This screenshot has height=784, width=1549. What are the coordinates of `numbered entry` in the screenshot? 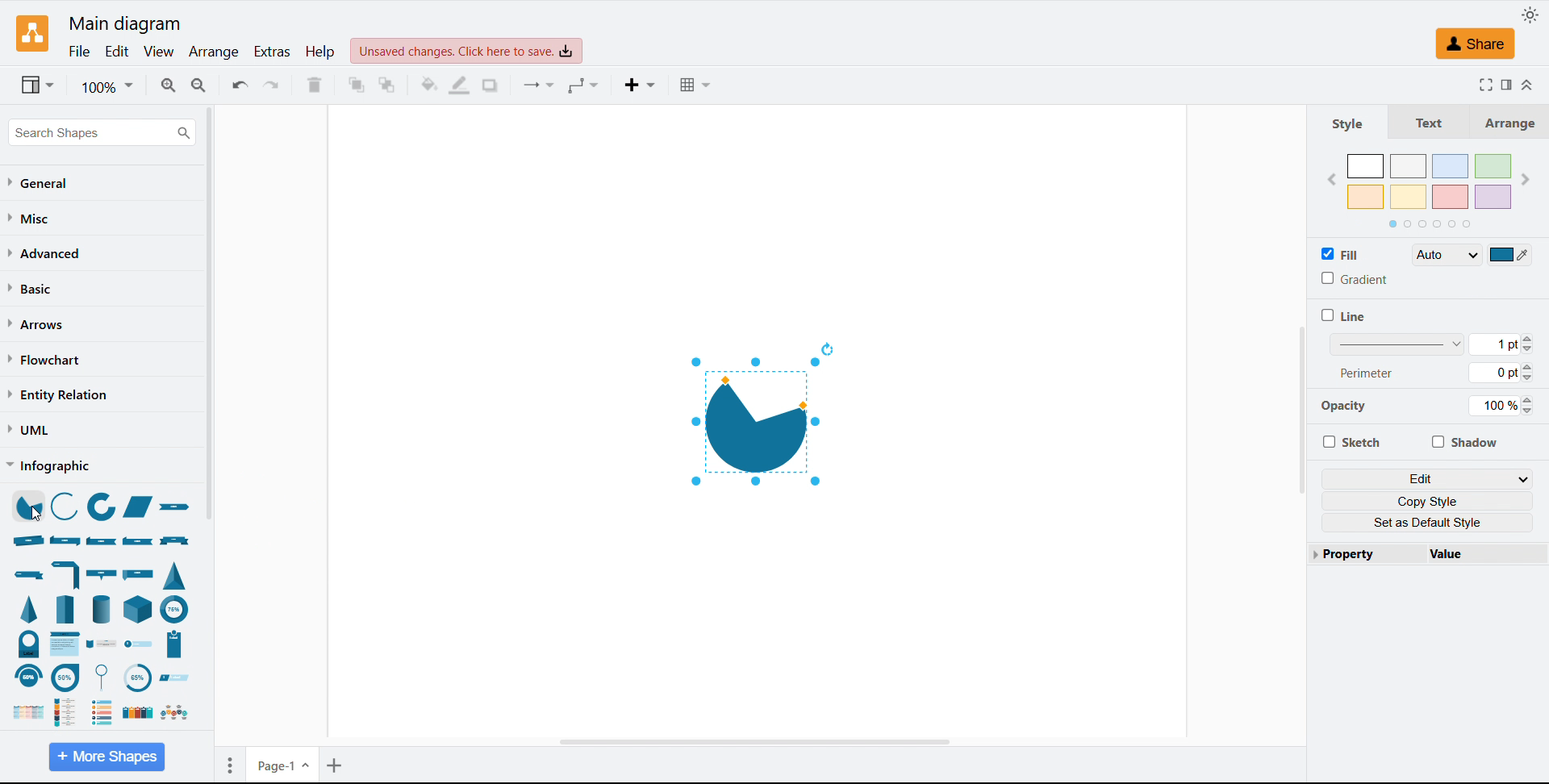 It's located at (140, 642).